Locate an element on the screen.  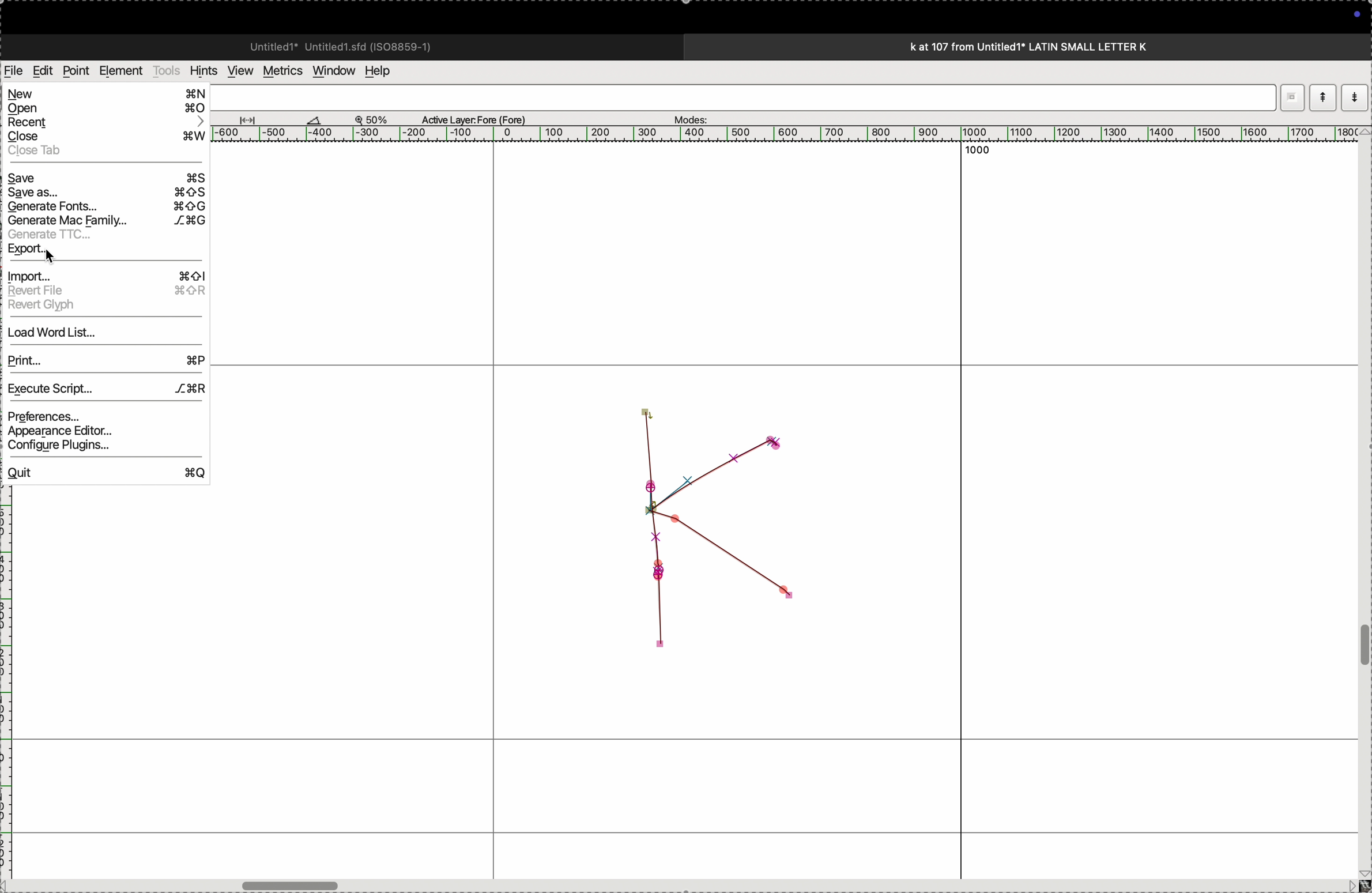
export is located at coordinates (112, 252).